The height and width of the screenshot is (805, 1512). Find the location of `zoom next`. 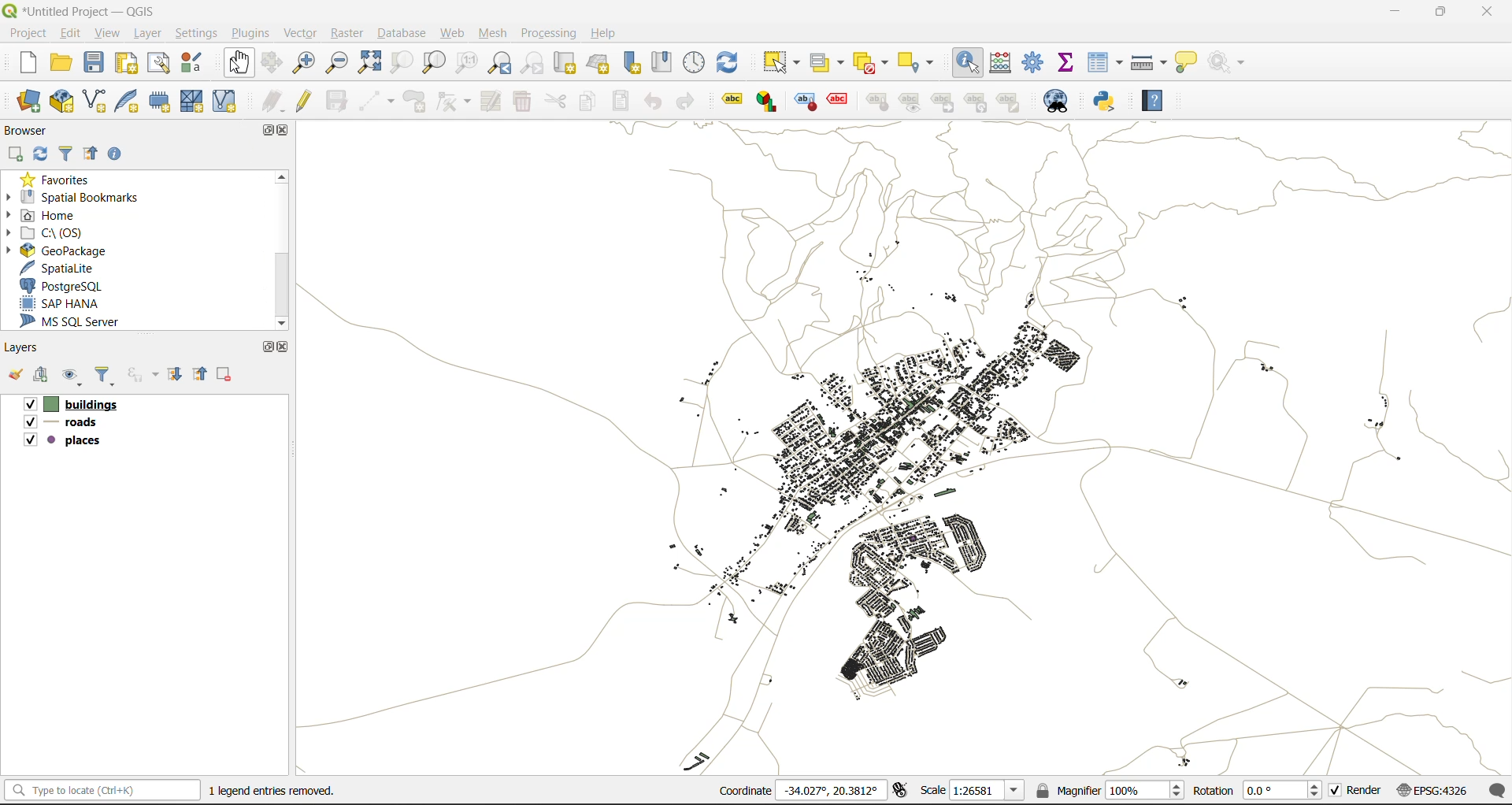

zoom next is located at coordinates (532, 63).